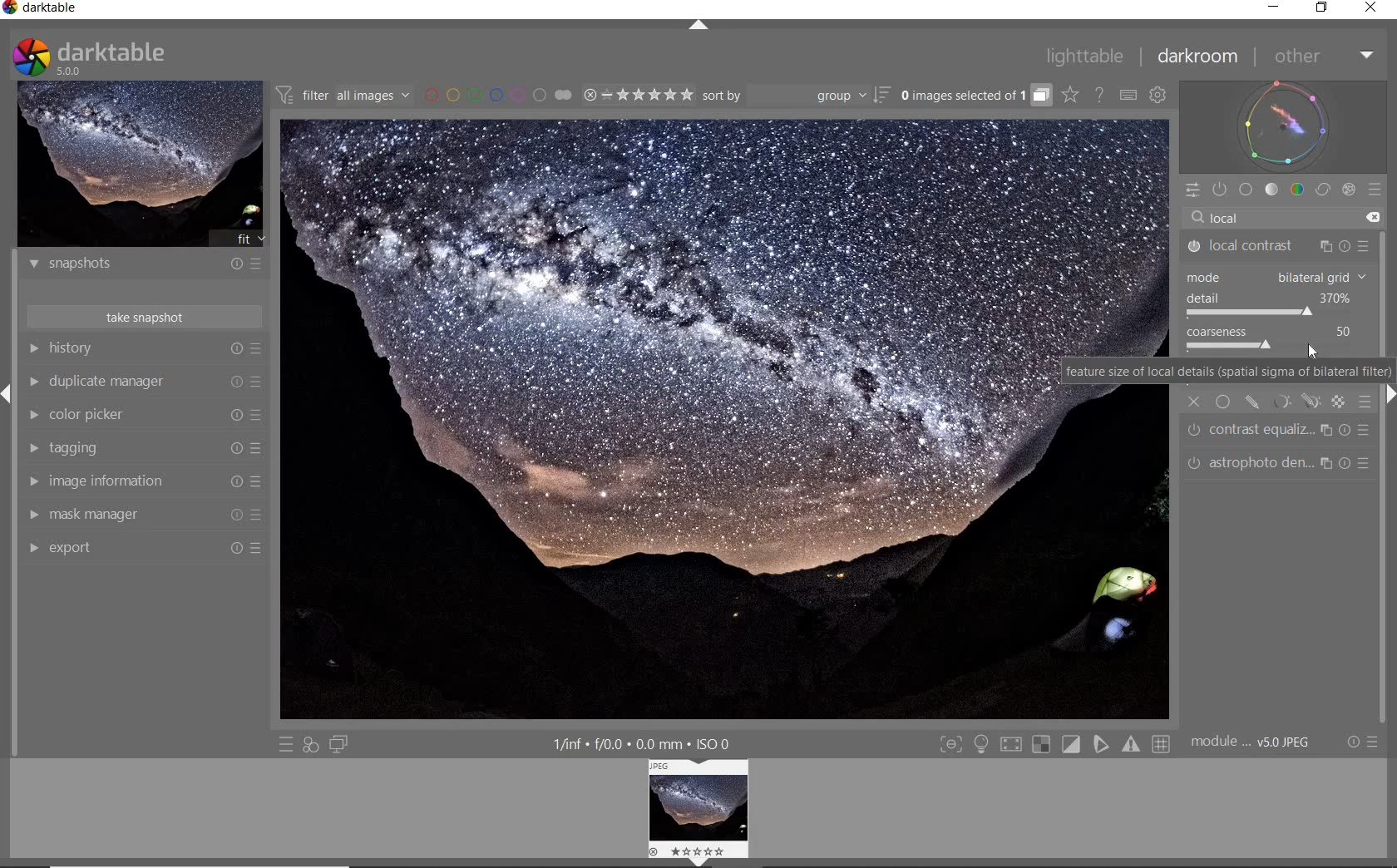 This screenshot has width=1397, height=868. Describe the element at coordinates (259, 547) in the screenshot. I see `Reset` at that location.